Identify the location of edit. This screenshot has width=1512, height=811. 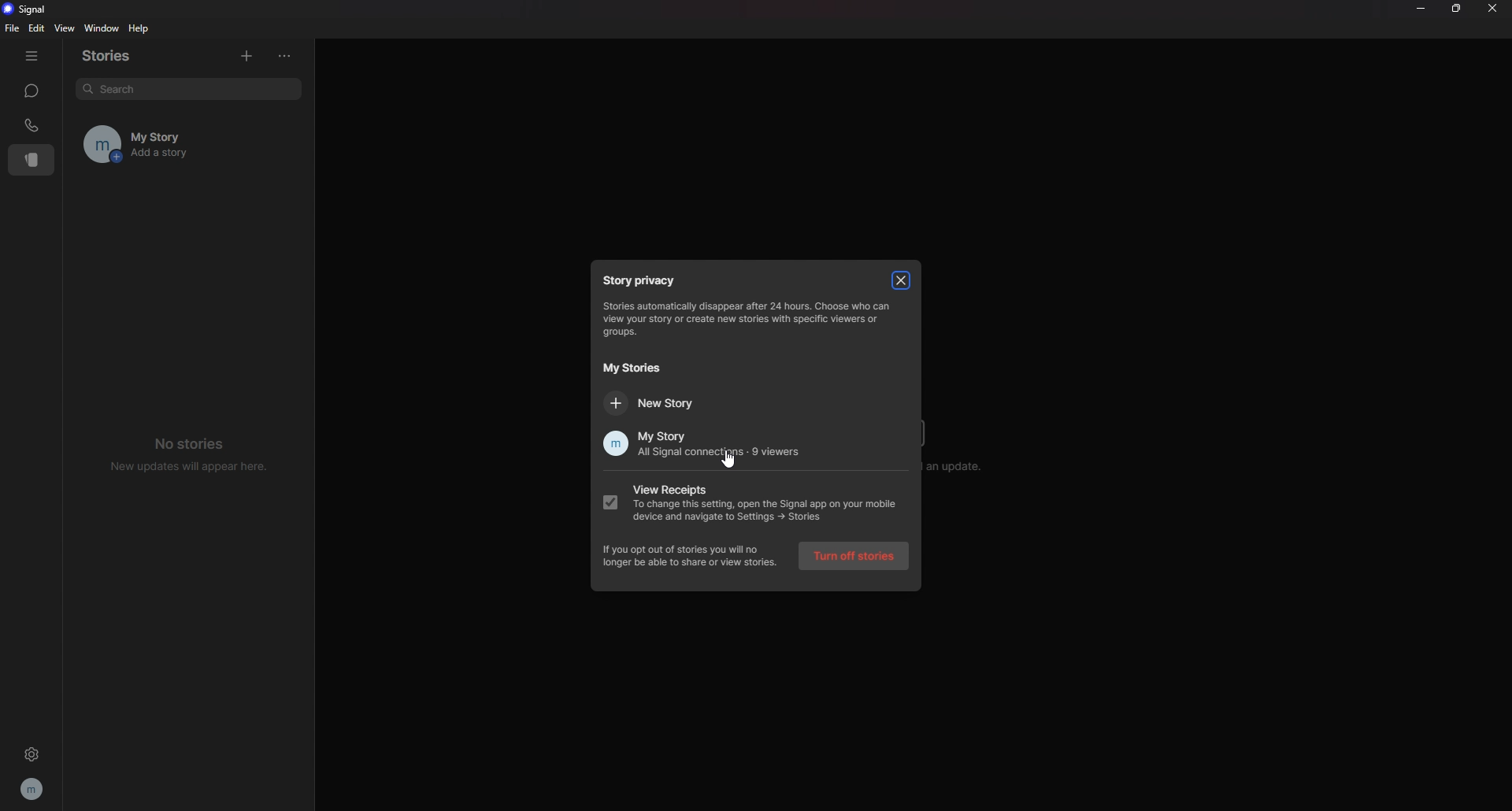
(36, 28).